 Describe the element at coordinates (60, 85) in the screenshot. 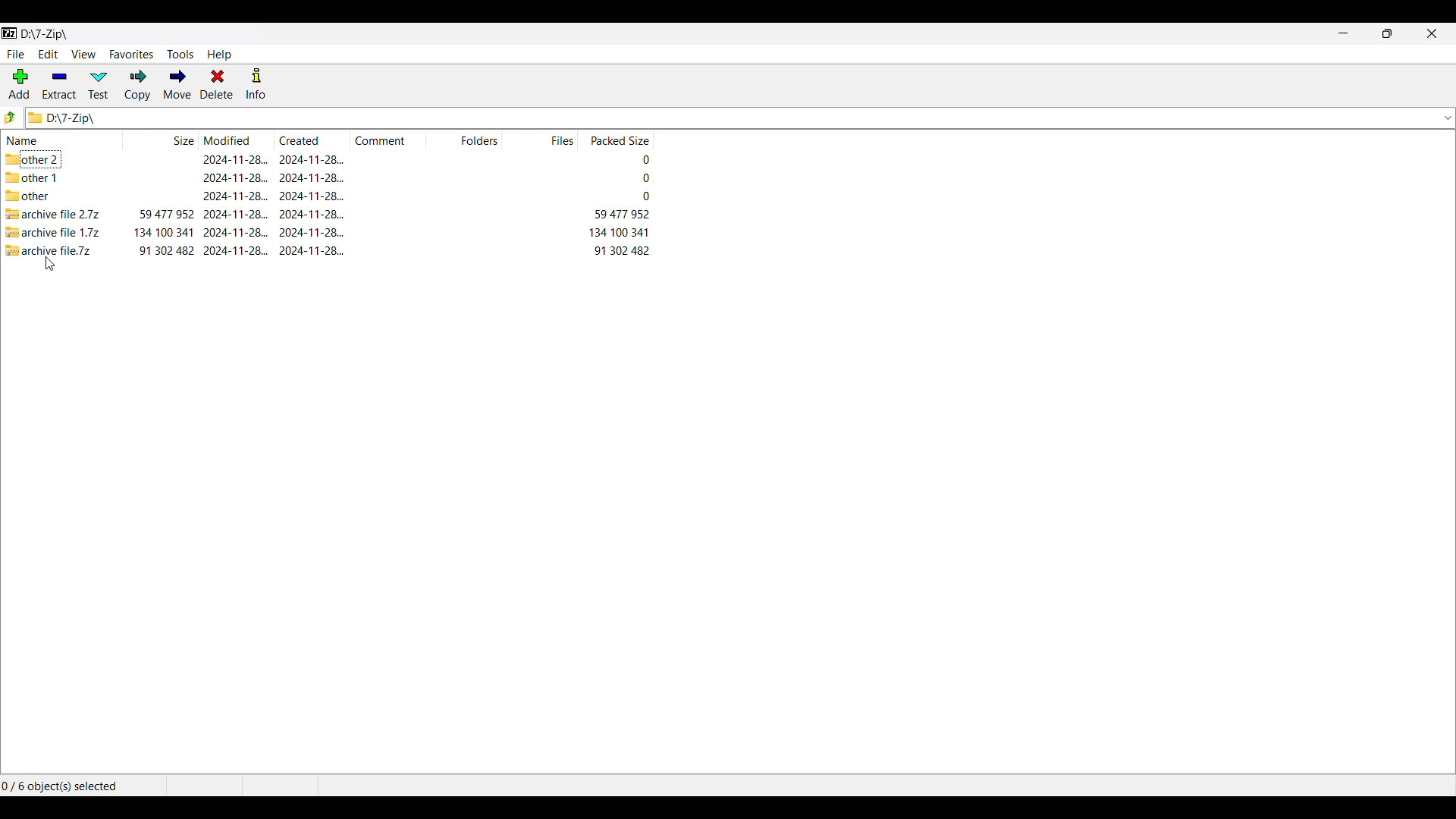

I see `Extract` at that location.